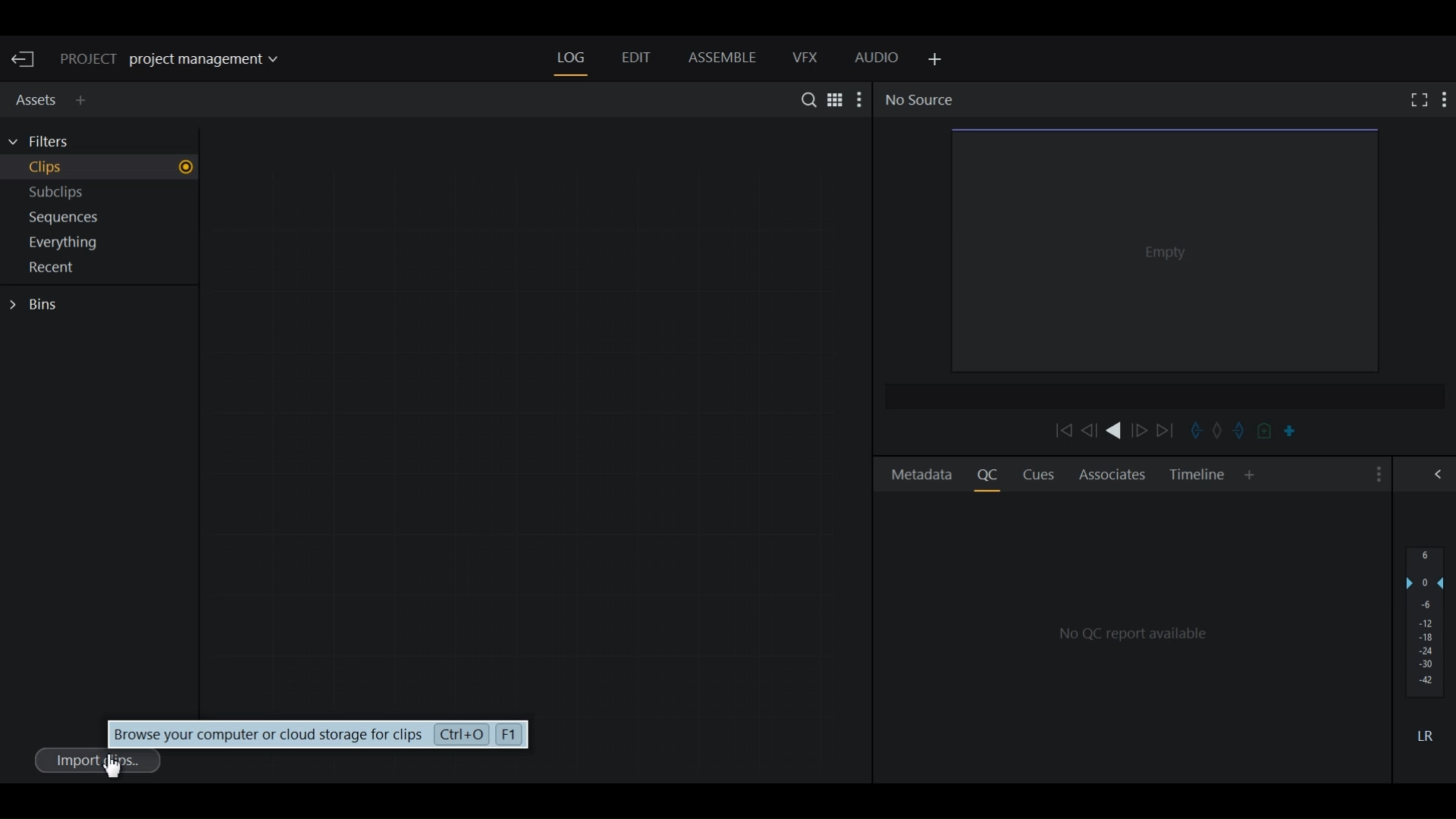 This screenshot has width=1456, height=819. Describe the element at coordinates (1088, 431) in the screenshot. I see `Nudge one frame backward` at that location.